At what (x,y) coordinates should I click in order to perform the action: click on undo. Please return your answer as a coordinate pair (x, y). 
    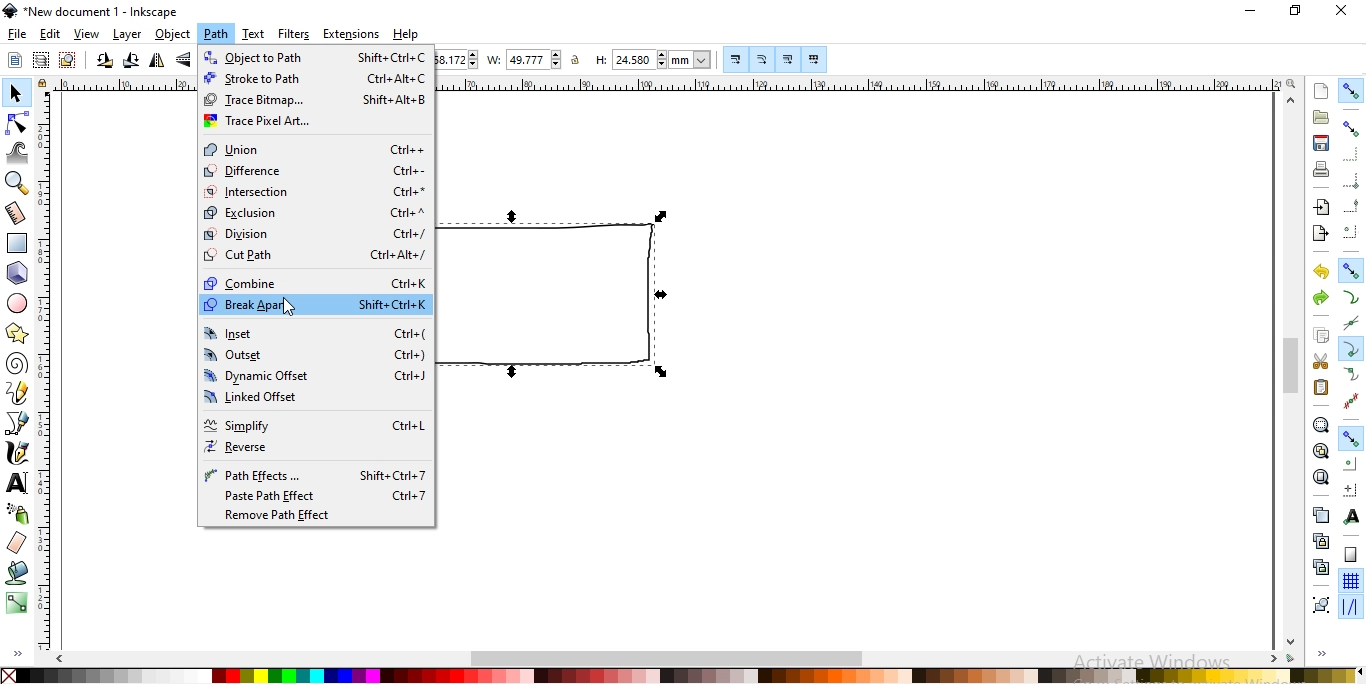
    Looking at the image, I should click on (1320, 272).